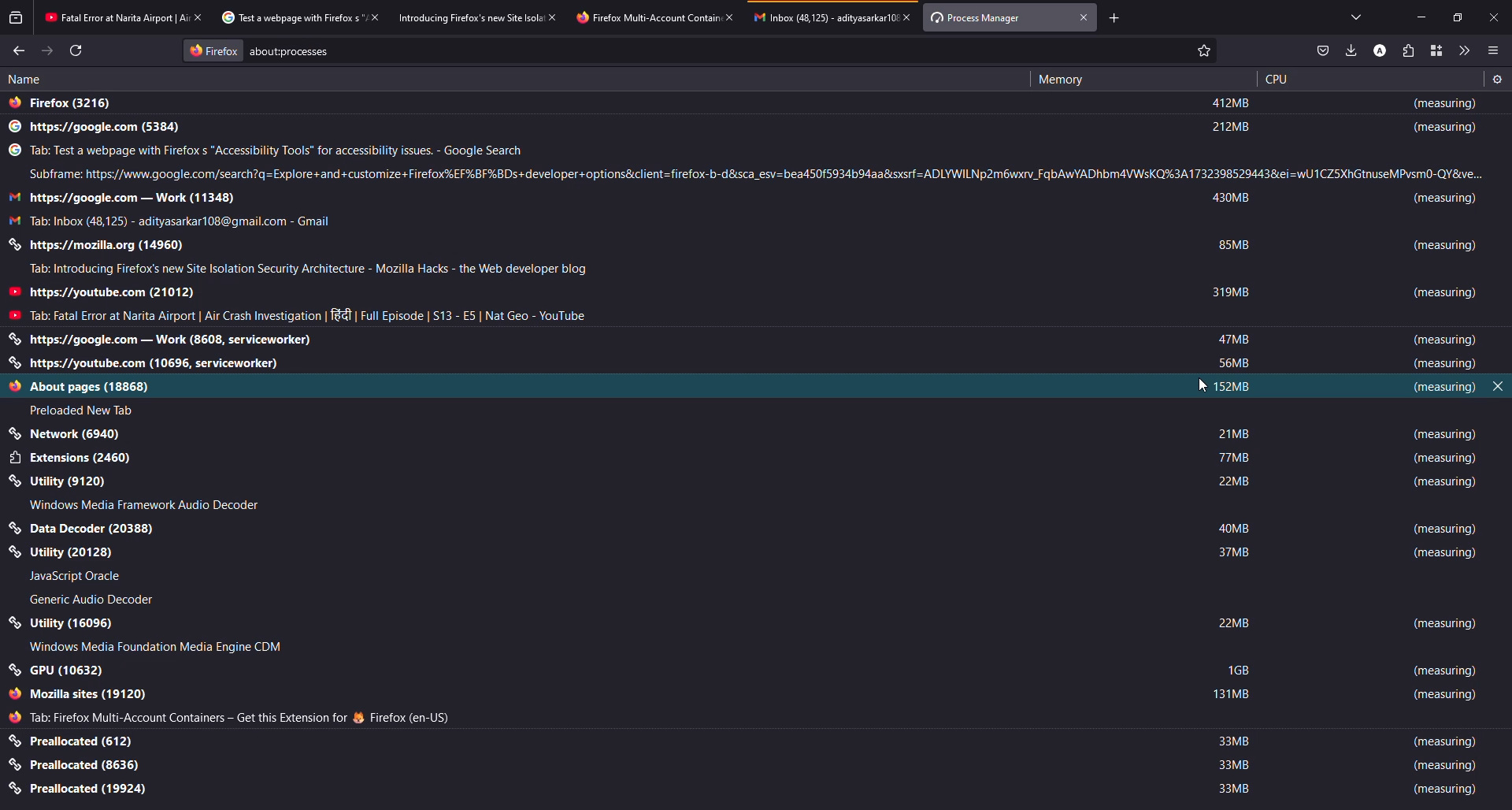  What do you see at coordinates (1228, 765) in the screenshot?
I see `33 mb` at bounding box center [1228, 765].